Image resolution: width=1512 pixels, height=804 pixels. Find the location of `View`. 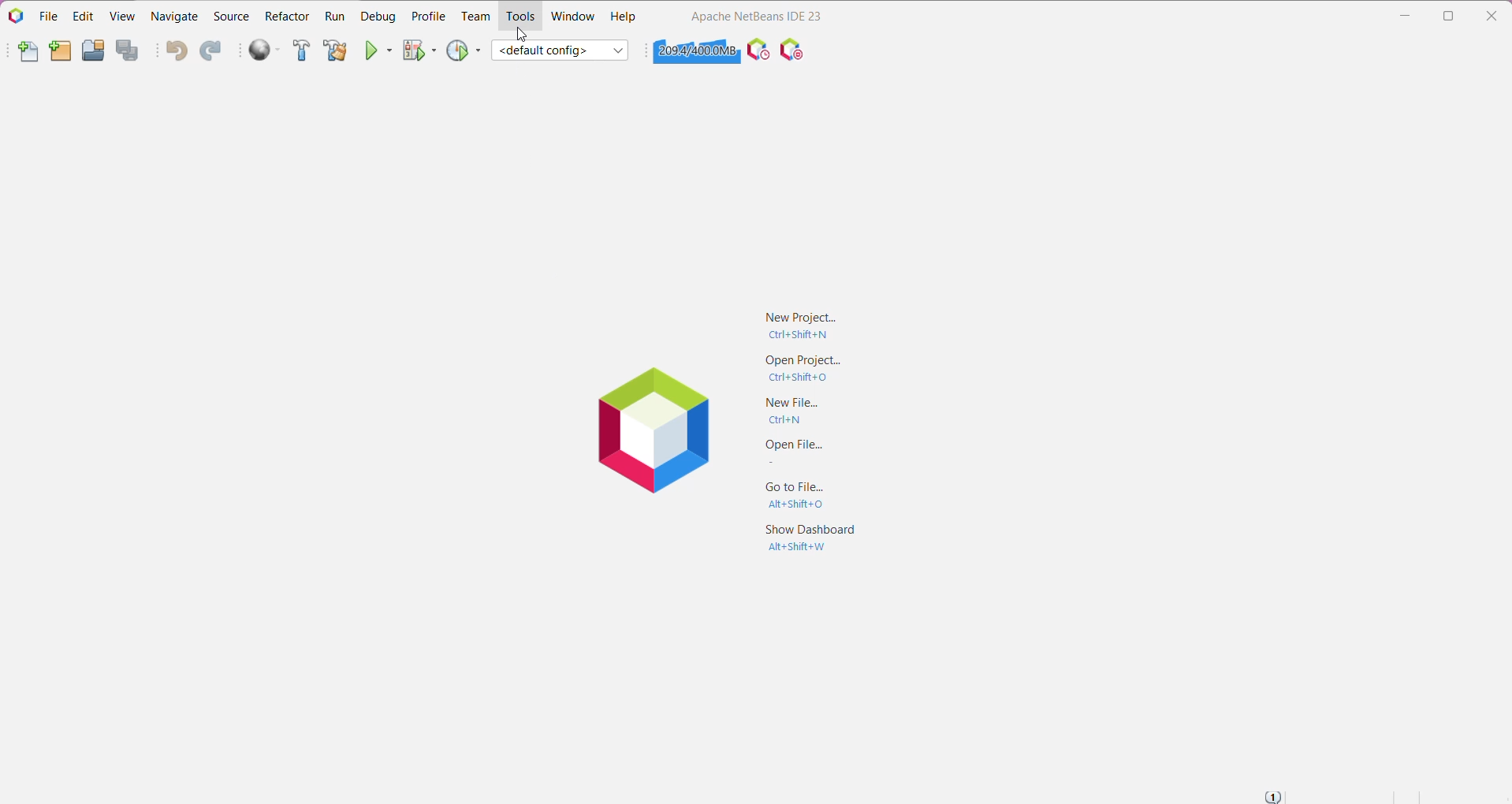

View is located at coordinates (124, 15).